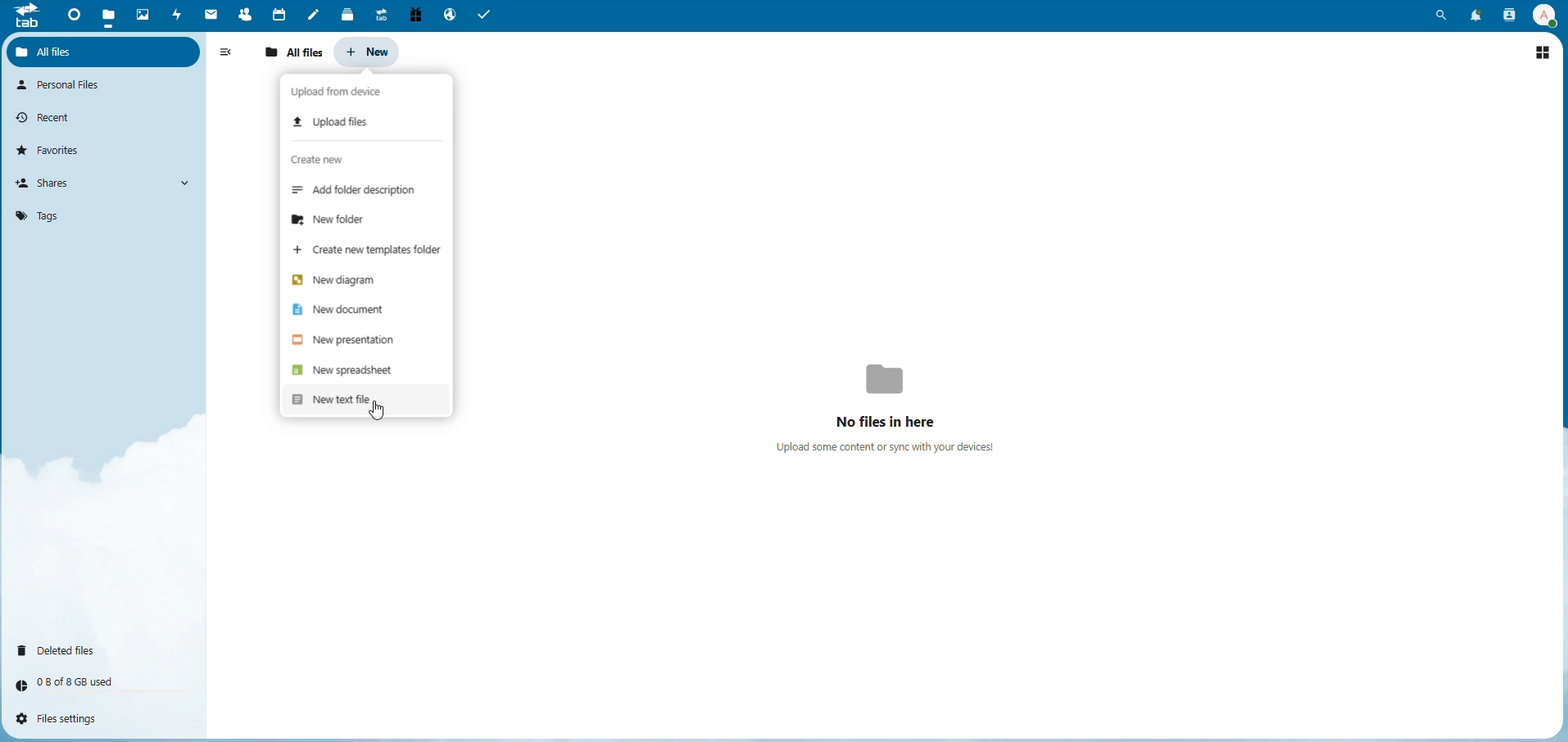  Describe the element at coordinates (63, 51) in the screenshot. I see `All Files` at that location.